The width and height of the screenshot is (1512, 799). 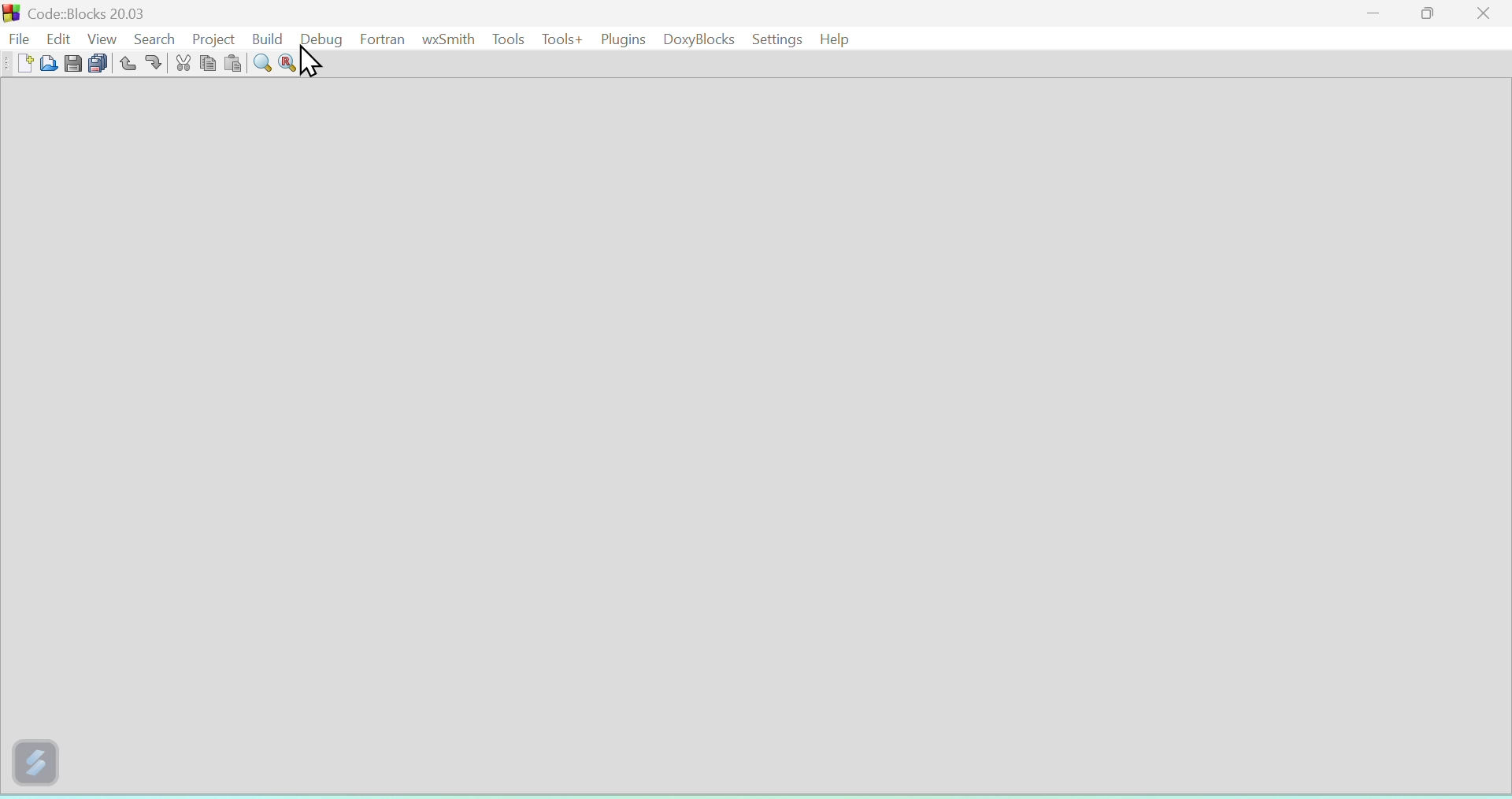 I want to click on help, so click(x=837, y=39).